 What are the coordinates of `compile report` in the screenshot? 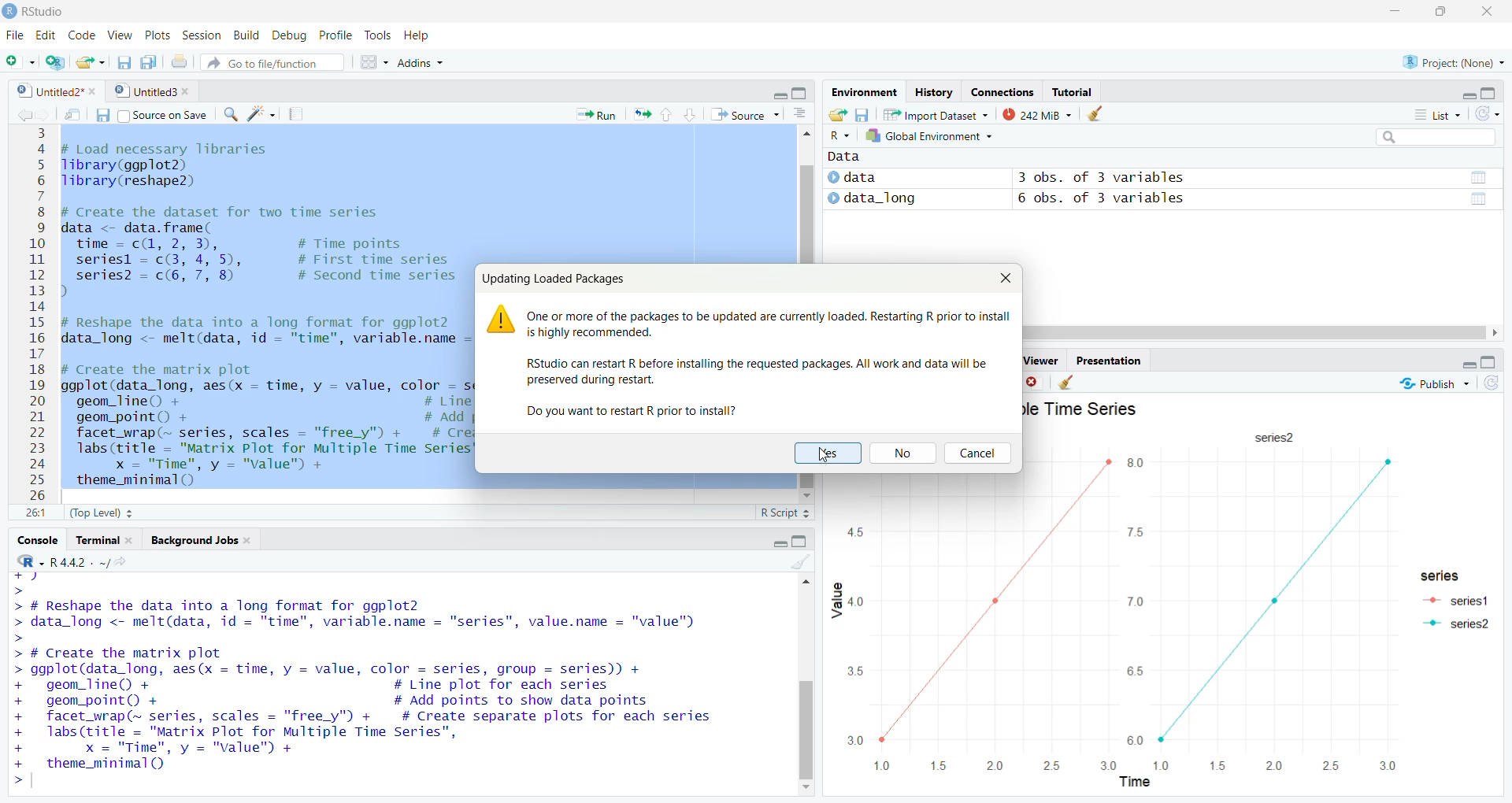 It's located at (295, 114).